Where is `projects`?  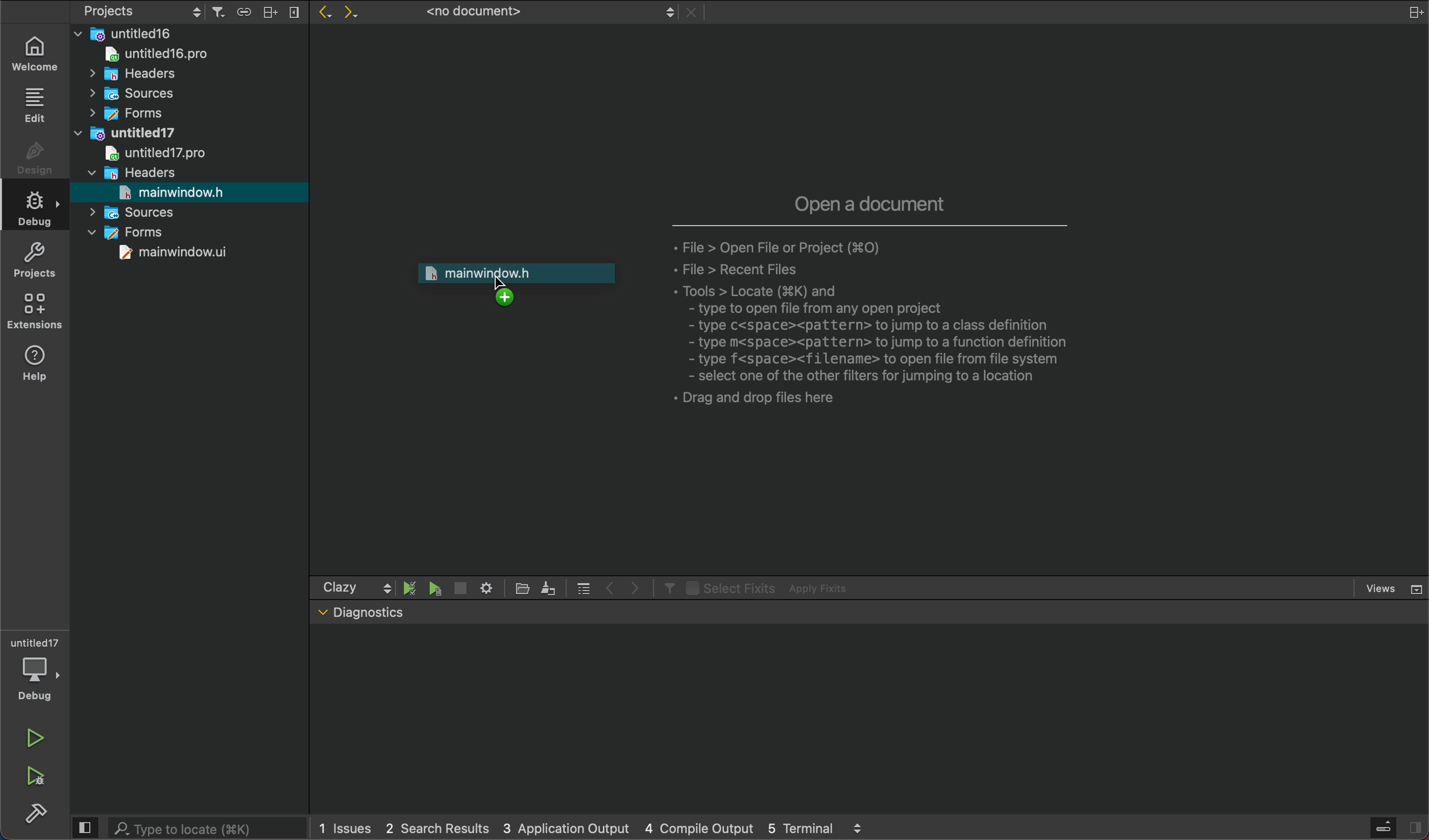
projects is located at coordinates (40, 260).